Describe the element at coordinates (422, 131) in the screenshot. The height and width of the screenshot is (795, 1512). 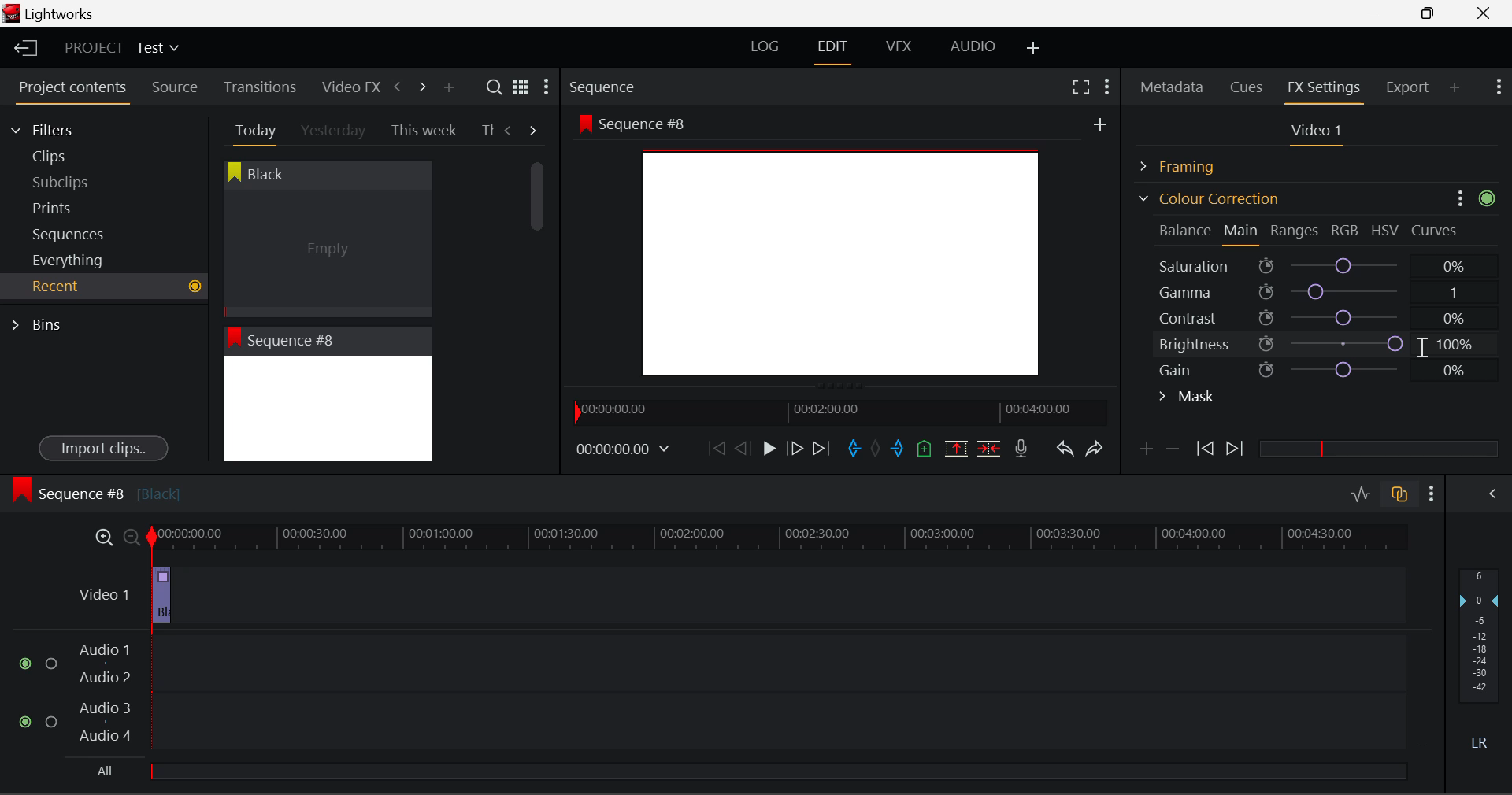
I see `This week Tab` at that location.